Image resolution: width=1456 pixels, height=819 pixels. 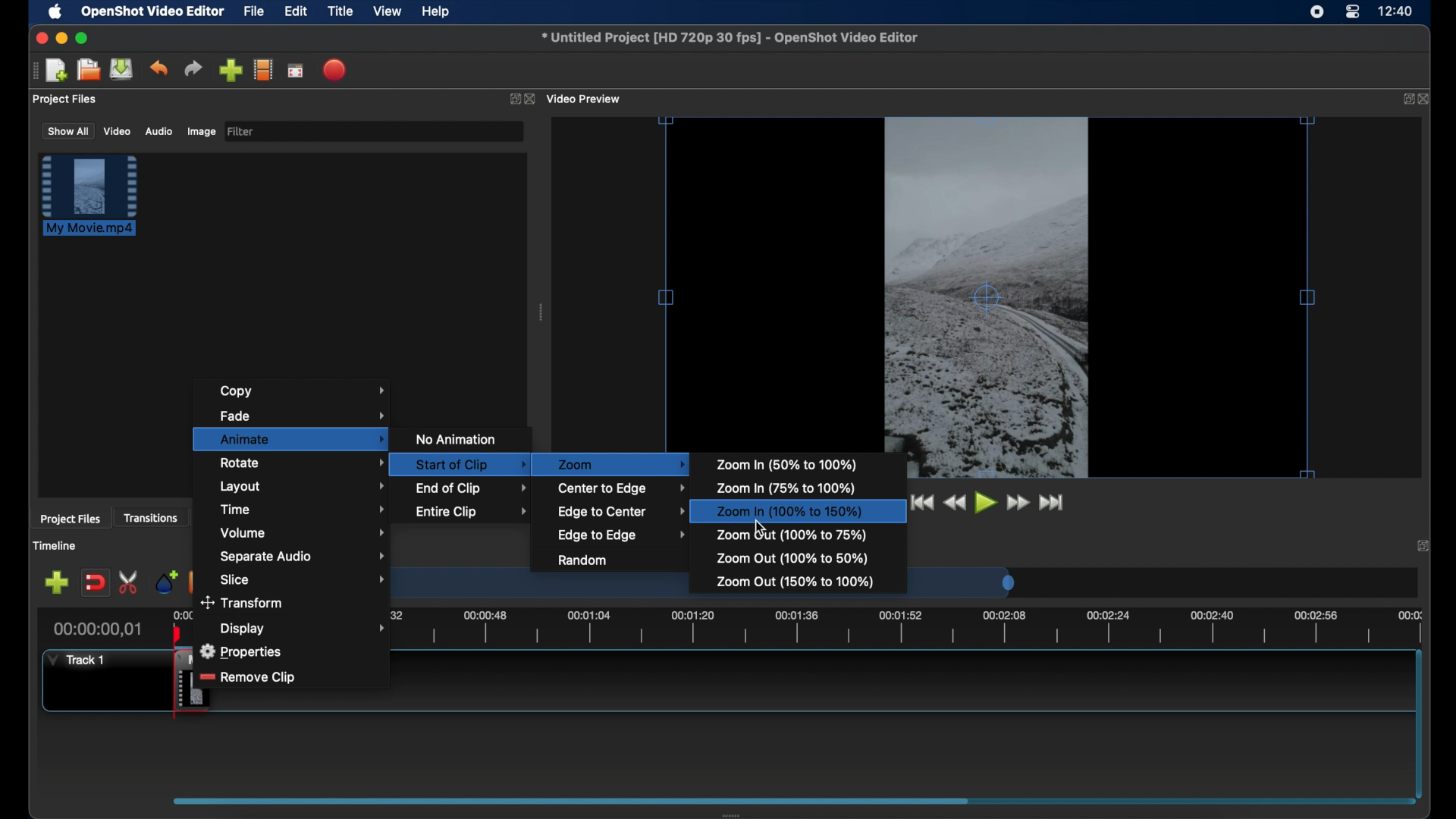 What do you see at coordinates (304, 579) in the screenshot?
I see `slice menu` at bounding box center [304, 579].